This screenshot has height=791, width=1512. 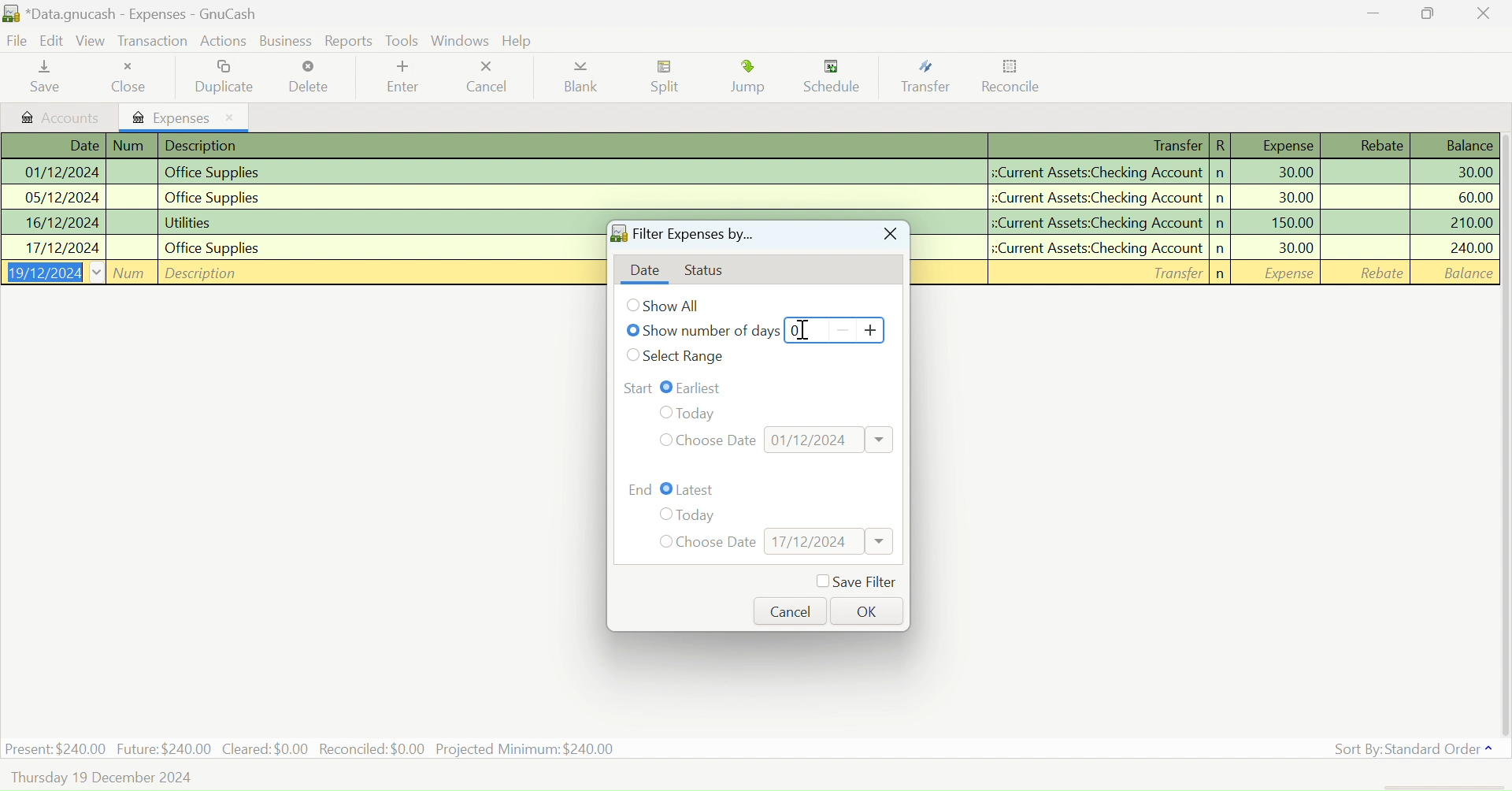 I want to click on Choose Date, so click(x=718, y=439).